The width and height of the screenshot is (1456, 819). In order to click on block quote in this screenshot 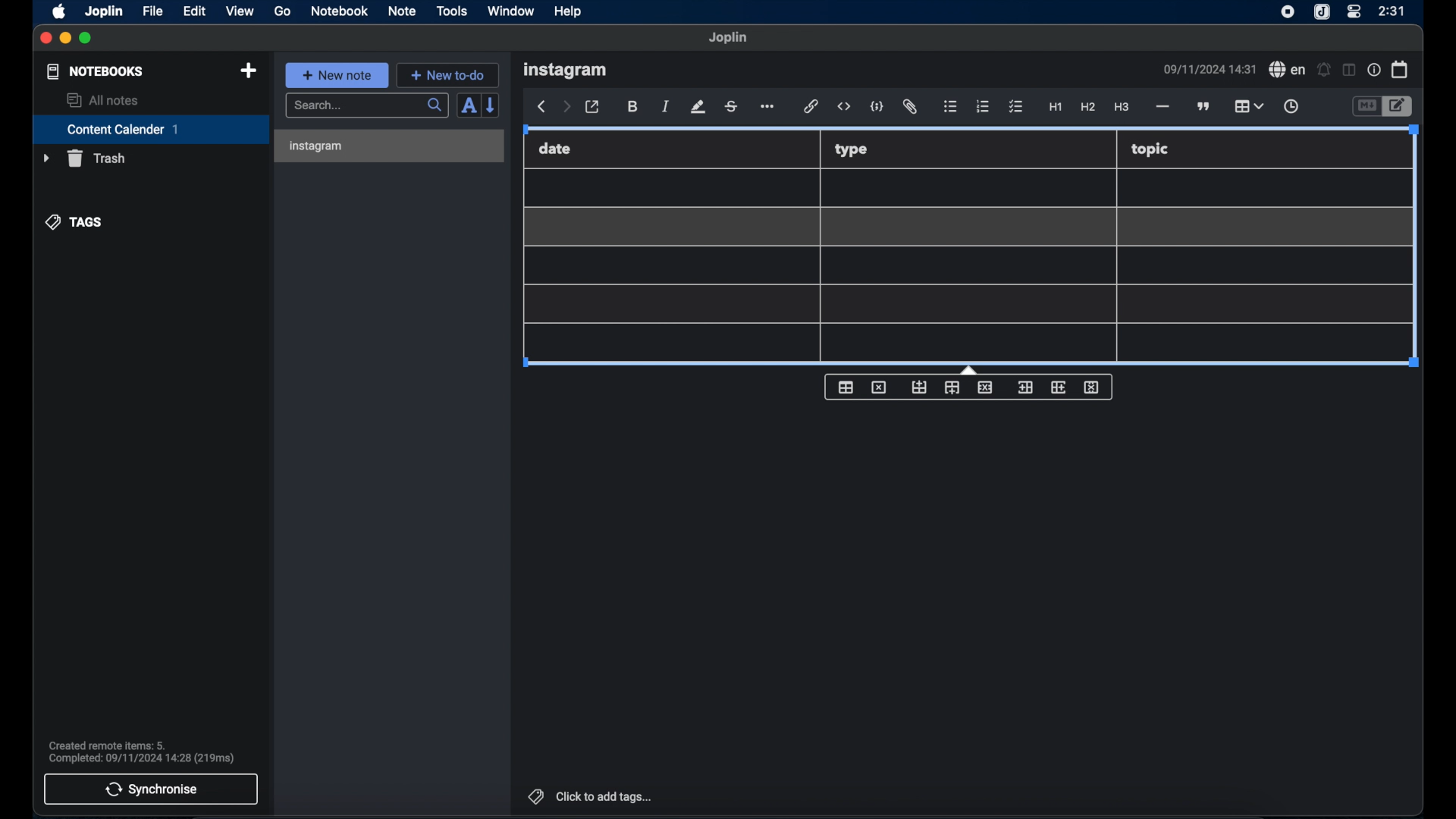, I will do `click(1203, 106)`.